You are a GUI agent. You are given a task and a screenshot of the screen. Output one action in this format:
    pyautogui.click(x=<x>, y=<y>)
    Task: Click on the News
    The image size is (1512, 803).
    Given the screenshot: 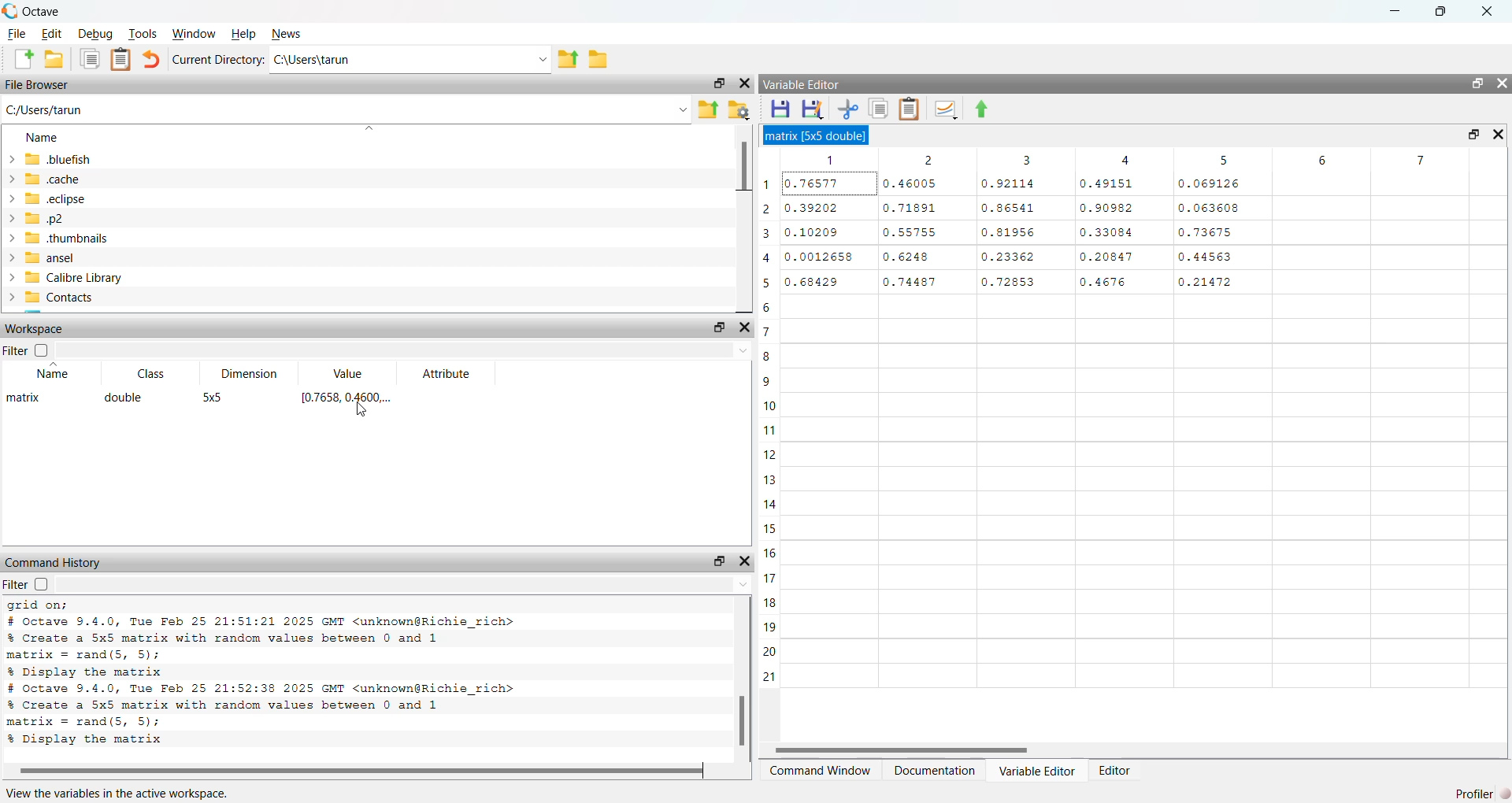 What is the action you would take?
    pyautogui.click(x=290, y=32)
    